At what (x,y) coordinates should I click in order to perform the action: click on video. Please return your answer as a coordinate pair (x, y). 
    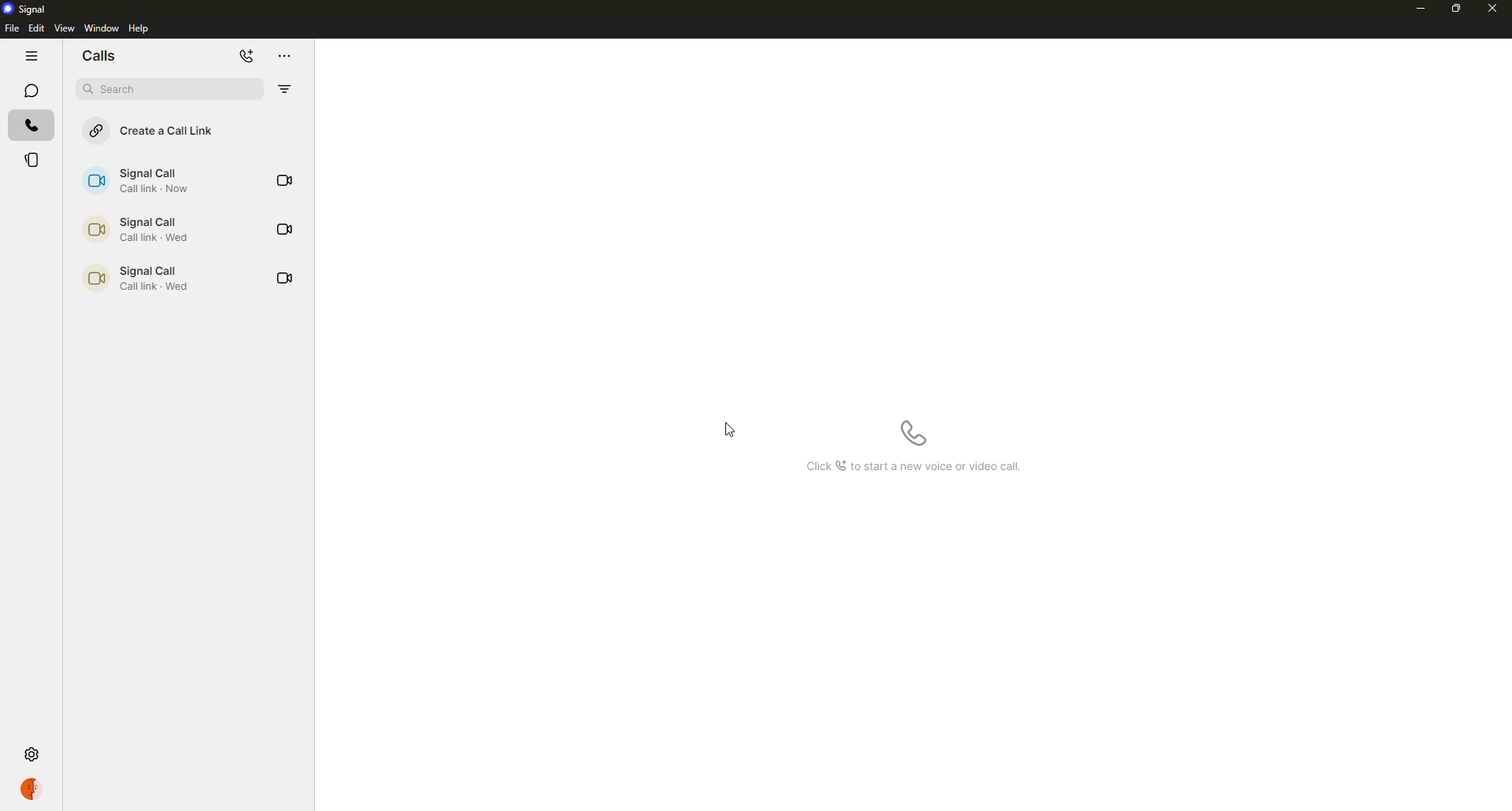
    Looking at the image, I should click on (284, 180).